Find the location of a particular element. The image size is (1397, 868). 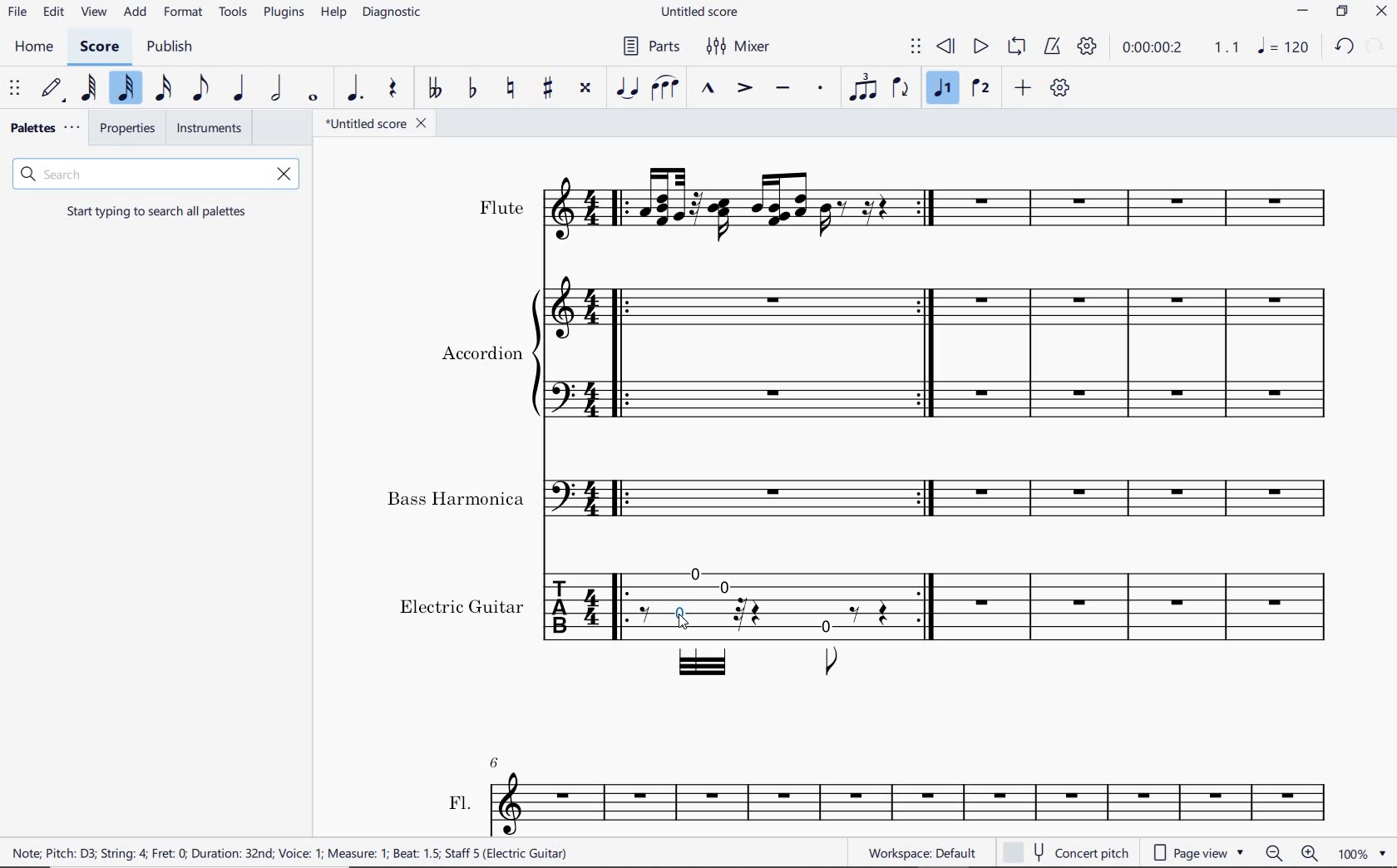

restore down is located at coordinates (1375, 47).